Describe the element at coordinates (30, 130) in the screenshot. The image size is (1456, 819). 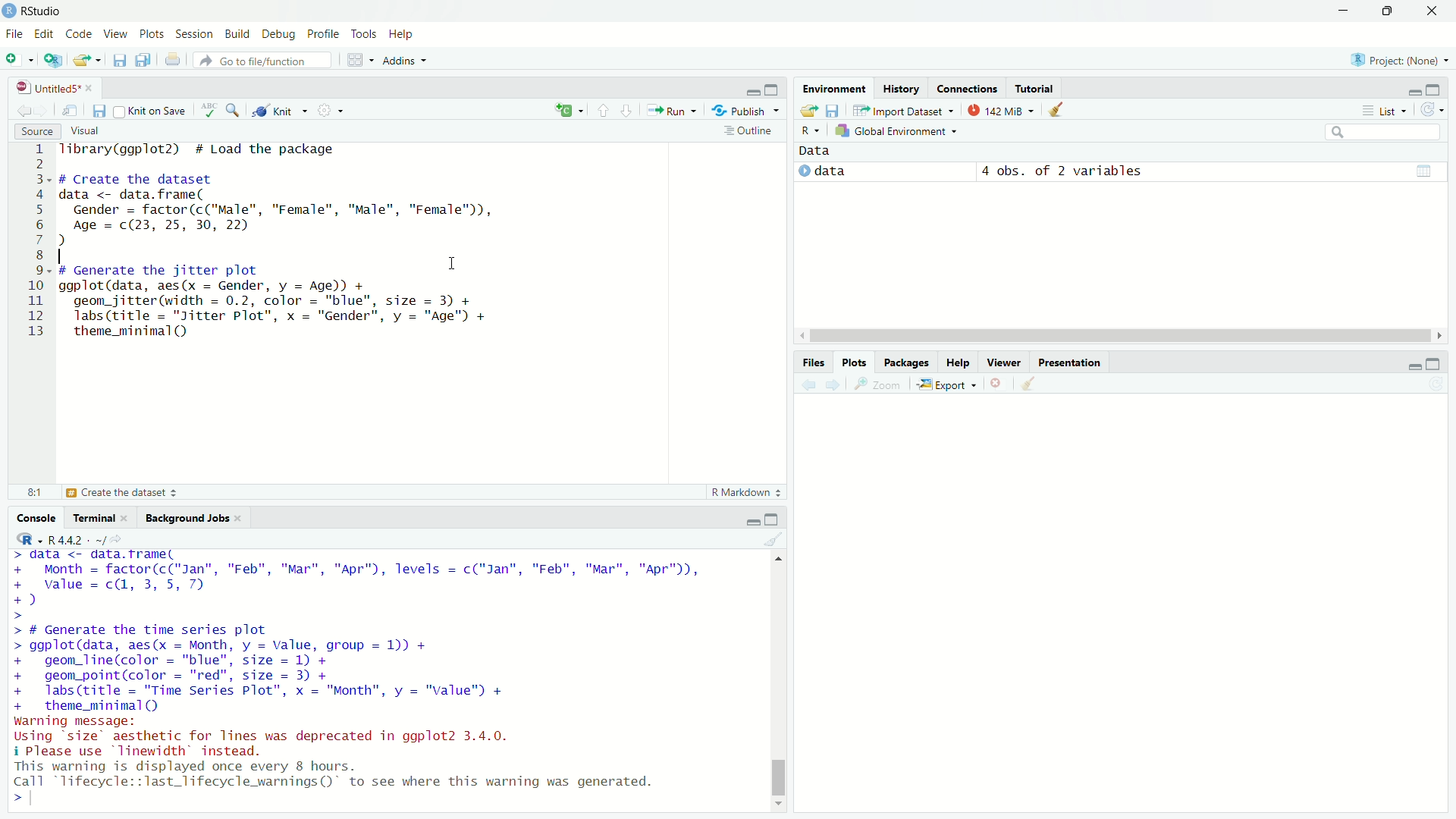
I see `source` at that location.